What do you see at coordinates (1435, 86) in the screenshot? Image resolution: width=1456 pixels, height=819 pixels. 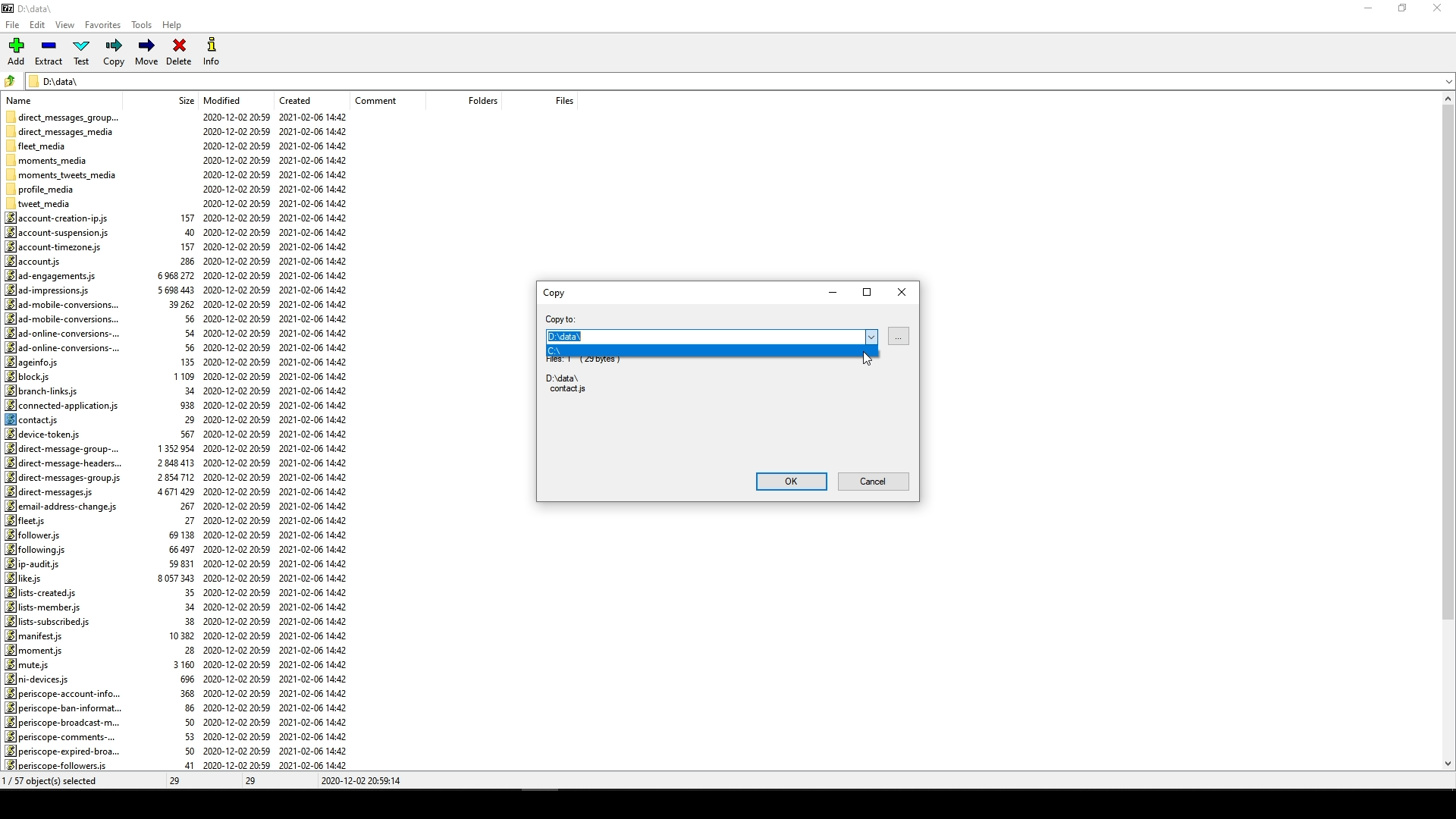 I see `down` at bounding box center [1435, 86].